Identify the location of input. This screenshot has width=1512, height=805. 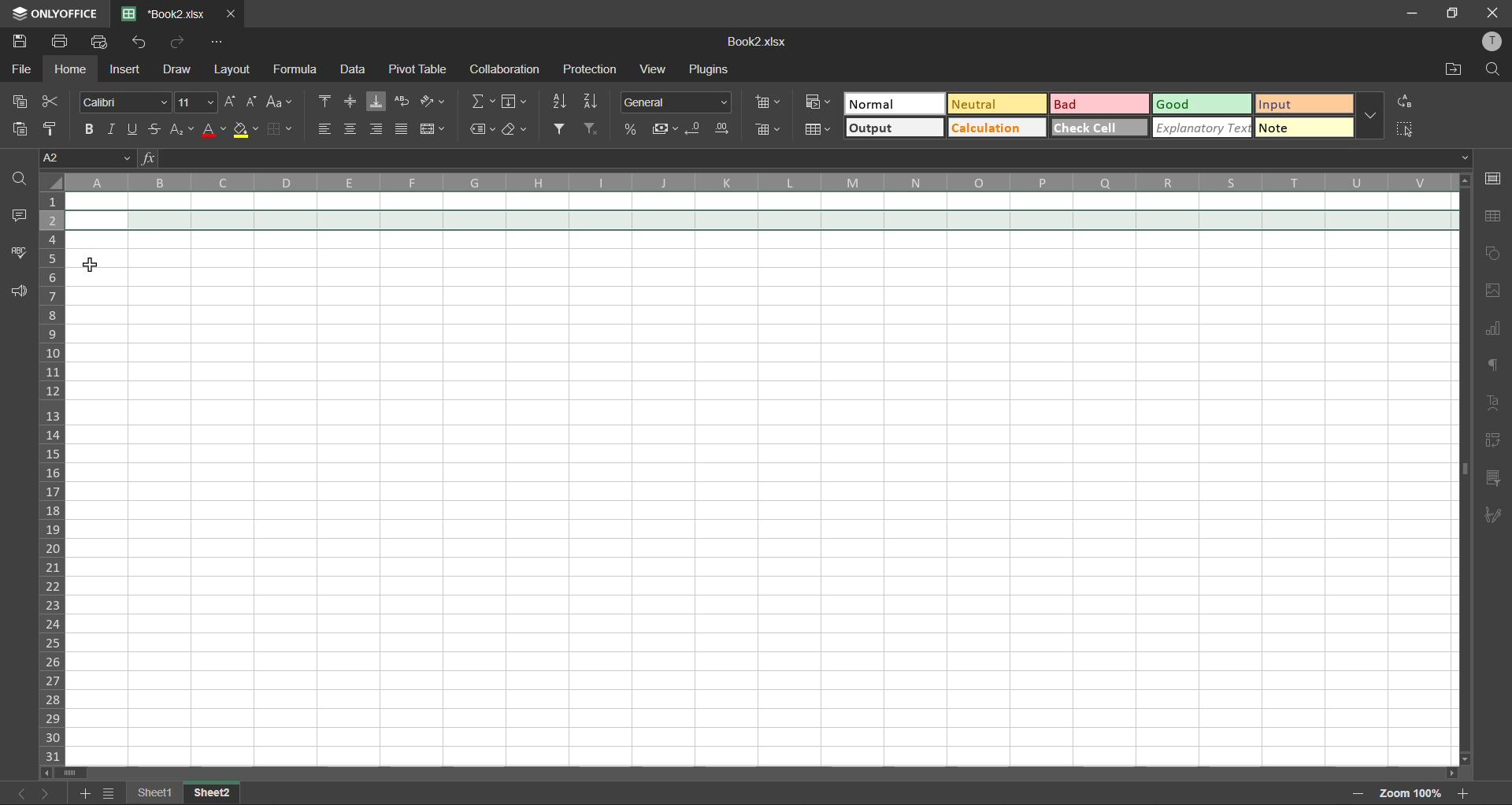
(1298, 102).